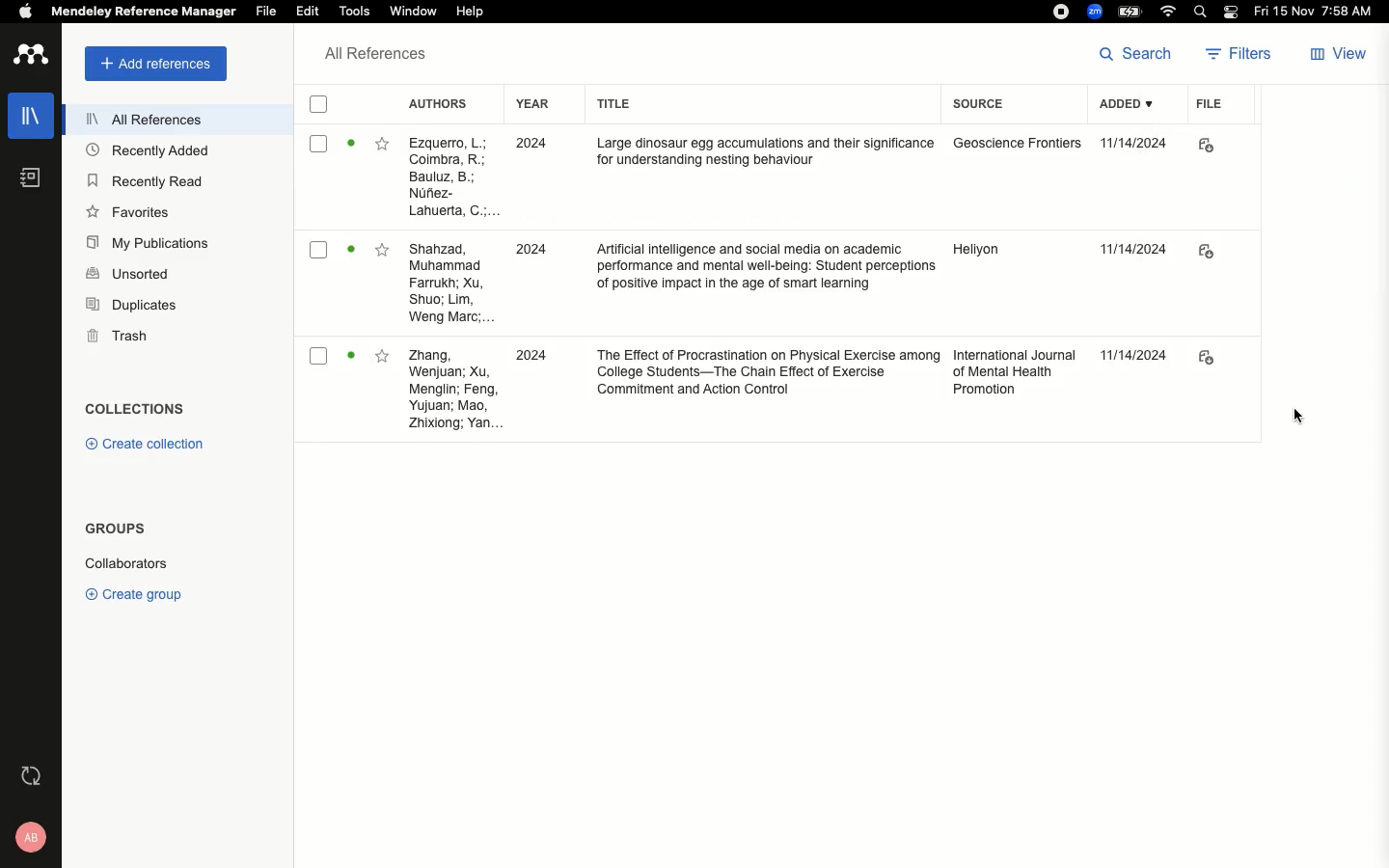 The width and height of the screenshot is (1389, 868). Describe the element at coordinates (1060, 12) in the screenshot. I see `Recording` at that location.